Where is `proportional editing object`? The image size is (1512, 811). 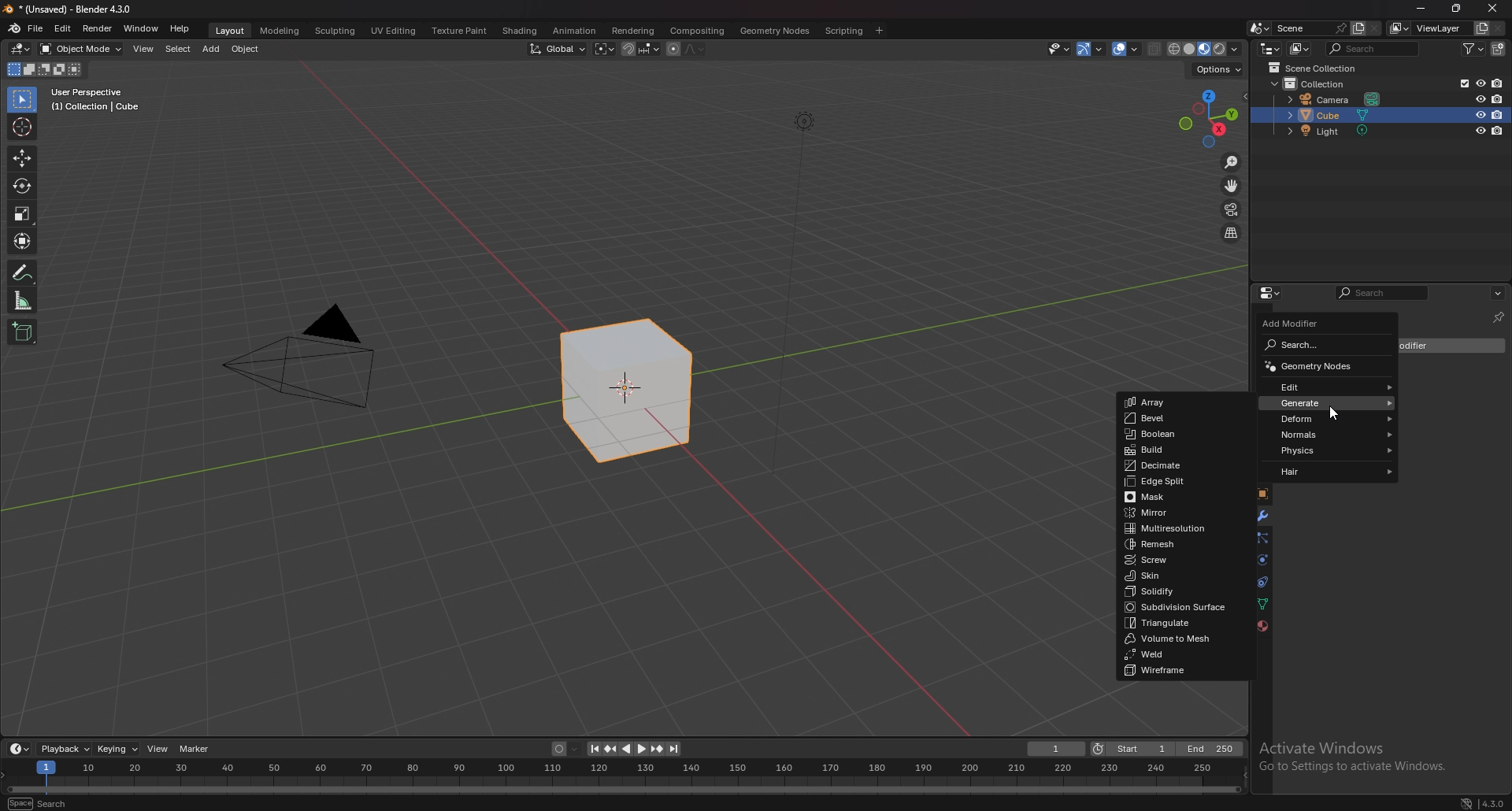
proportional editing object is located at coordinates (673, 50).